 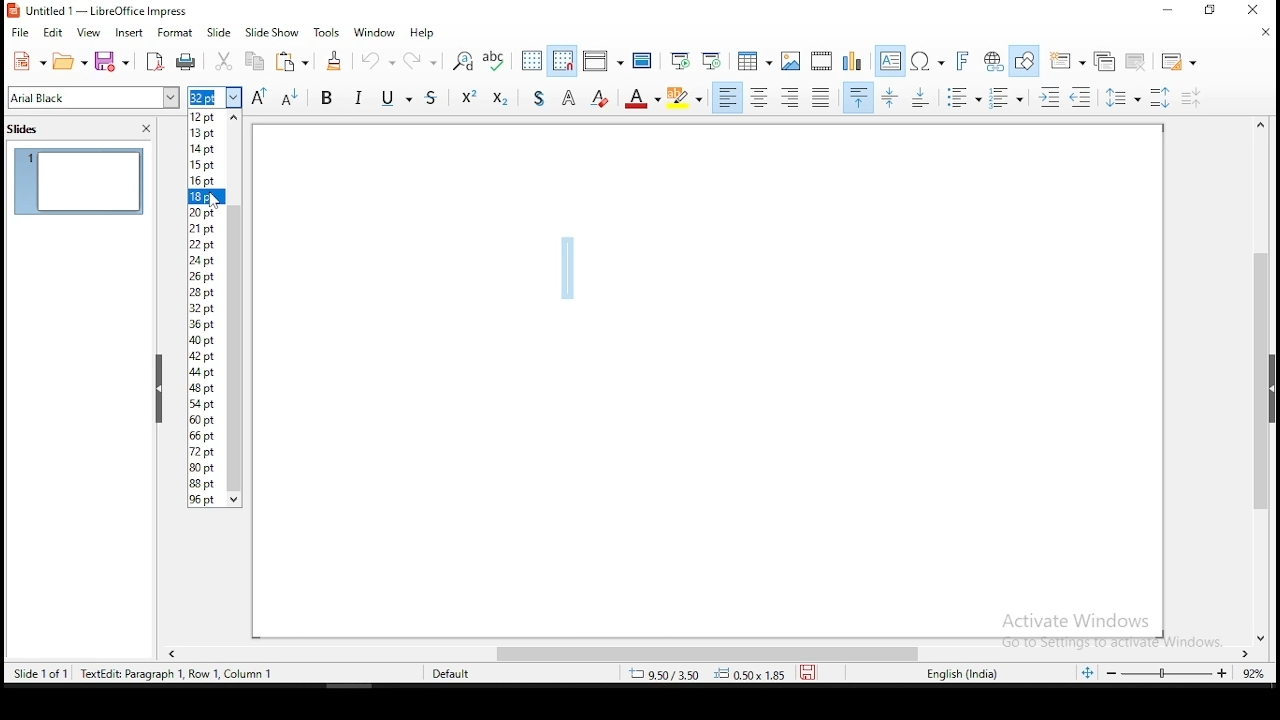 What do you see at coordinates (95, 98) in the screenshot?
I see `Arial Black` at bounding box center [95, 98].